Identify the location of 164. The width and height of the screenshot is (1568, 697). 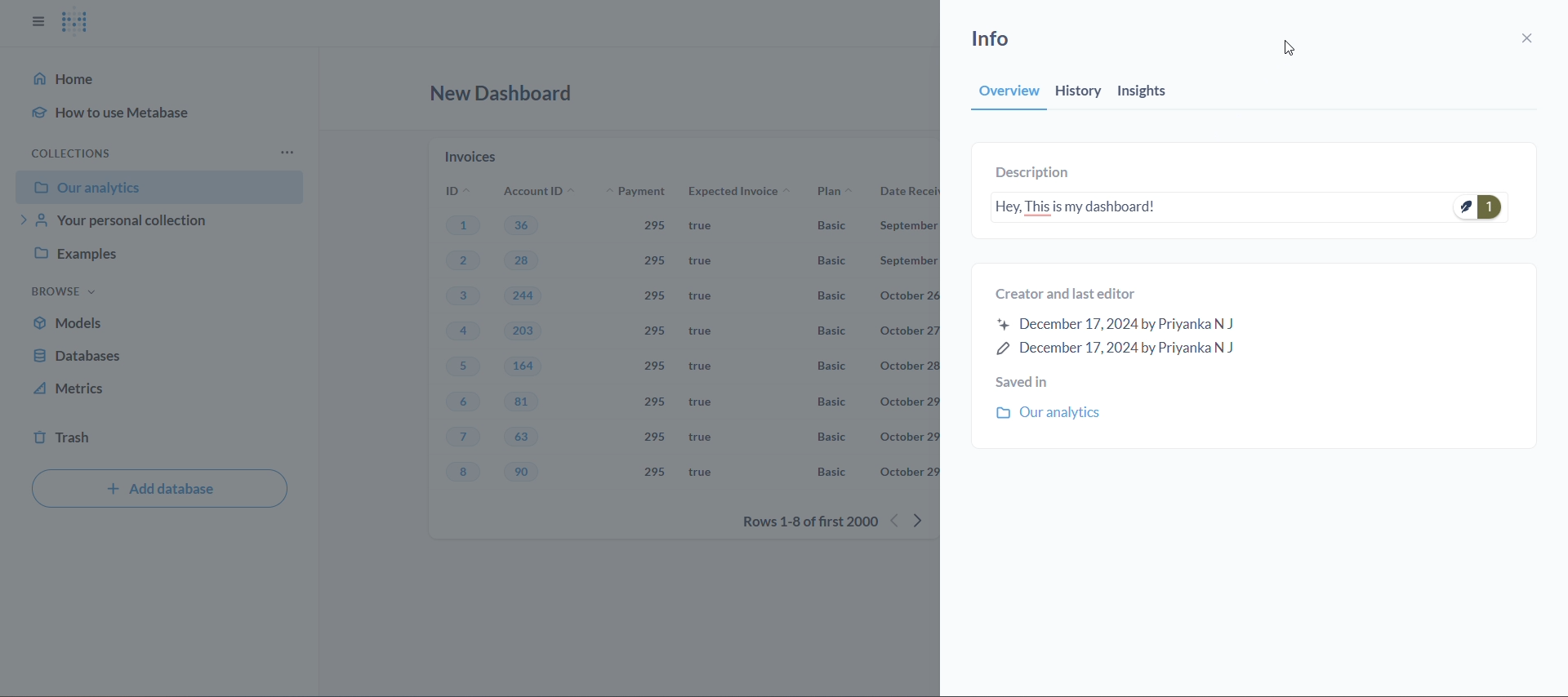
(523, 366).